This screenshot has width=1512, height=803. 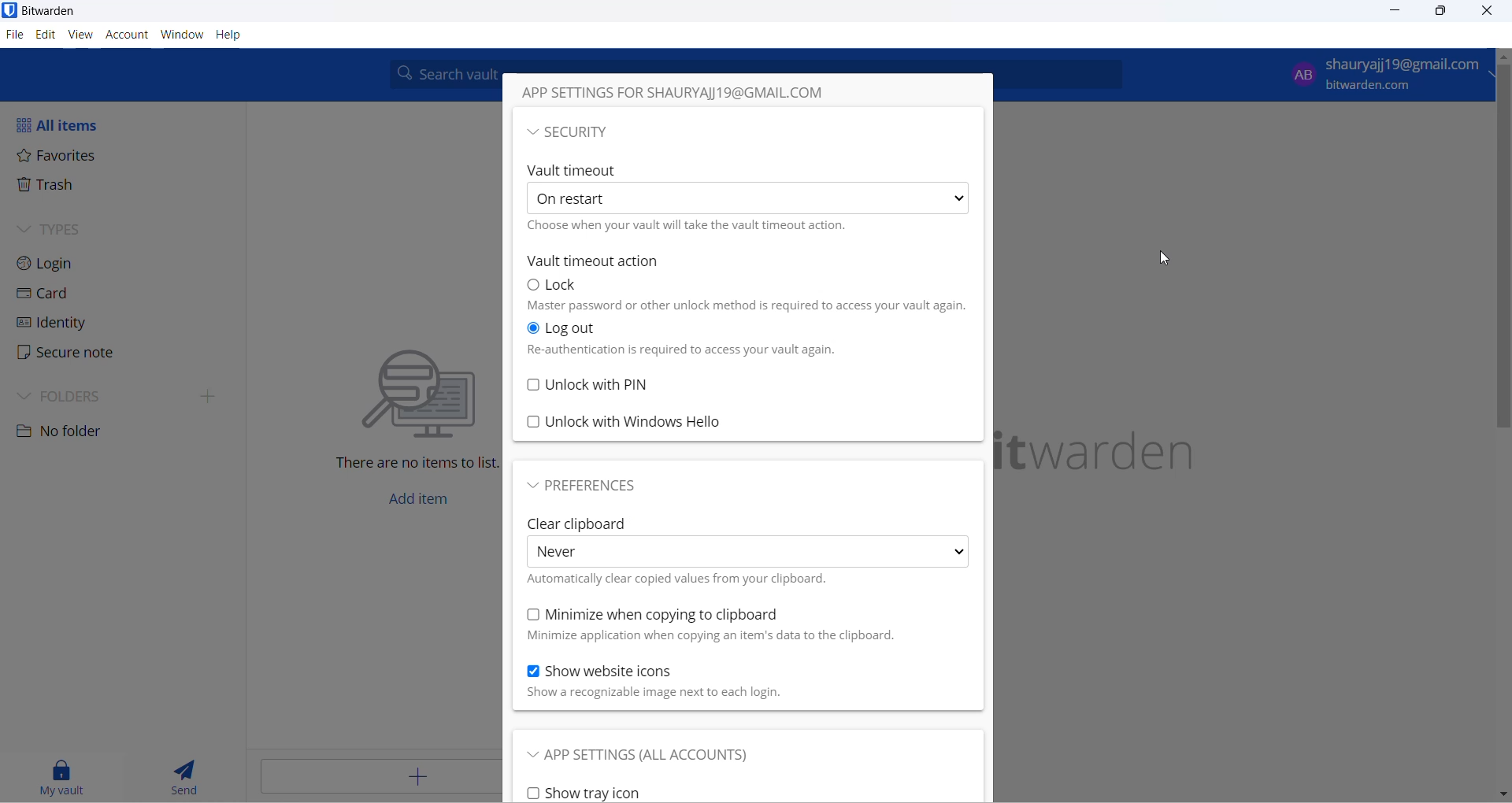 I want to click on send , so click(x=185, y=776).